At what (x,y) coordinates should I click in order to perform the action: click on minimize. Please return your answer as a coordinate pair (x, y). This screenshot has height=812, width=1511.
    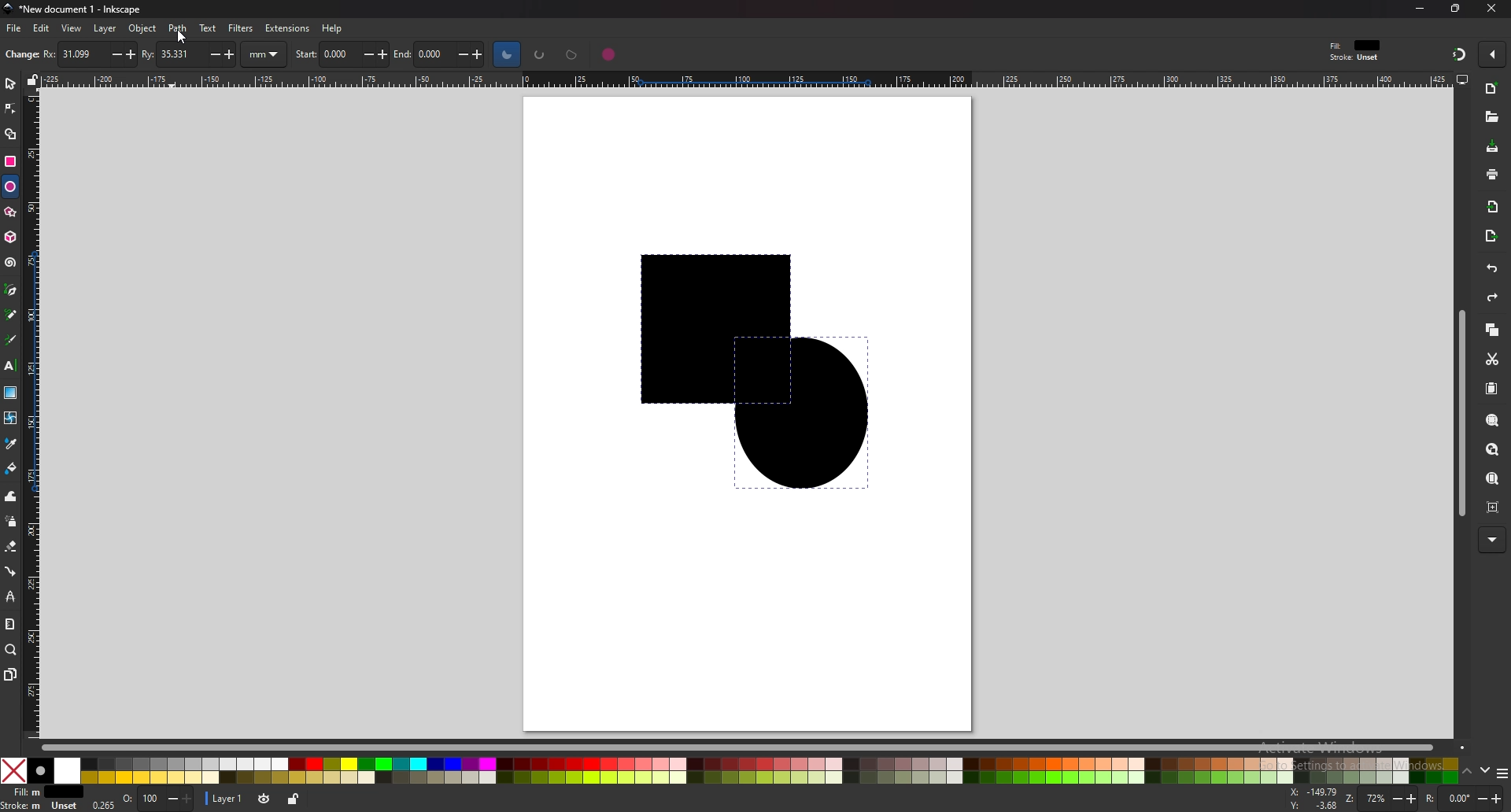
    Looking at the image, I should click on (1421, 8).